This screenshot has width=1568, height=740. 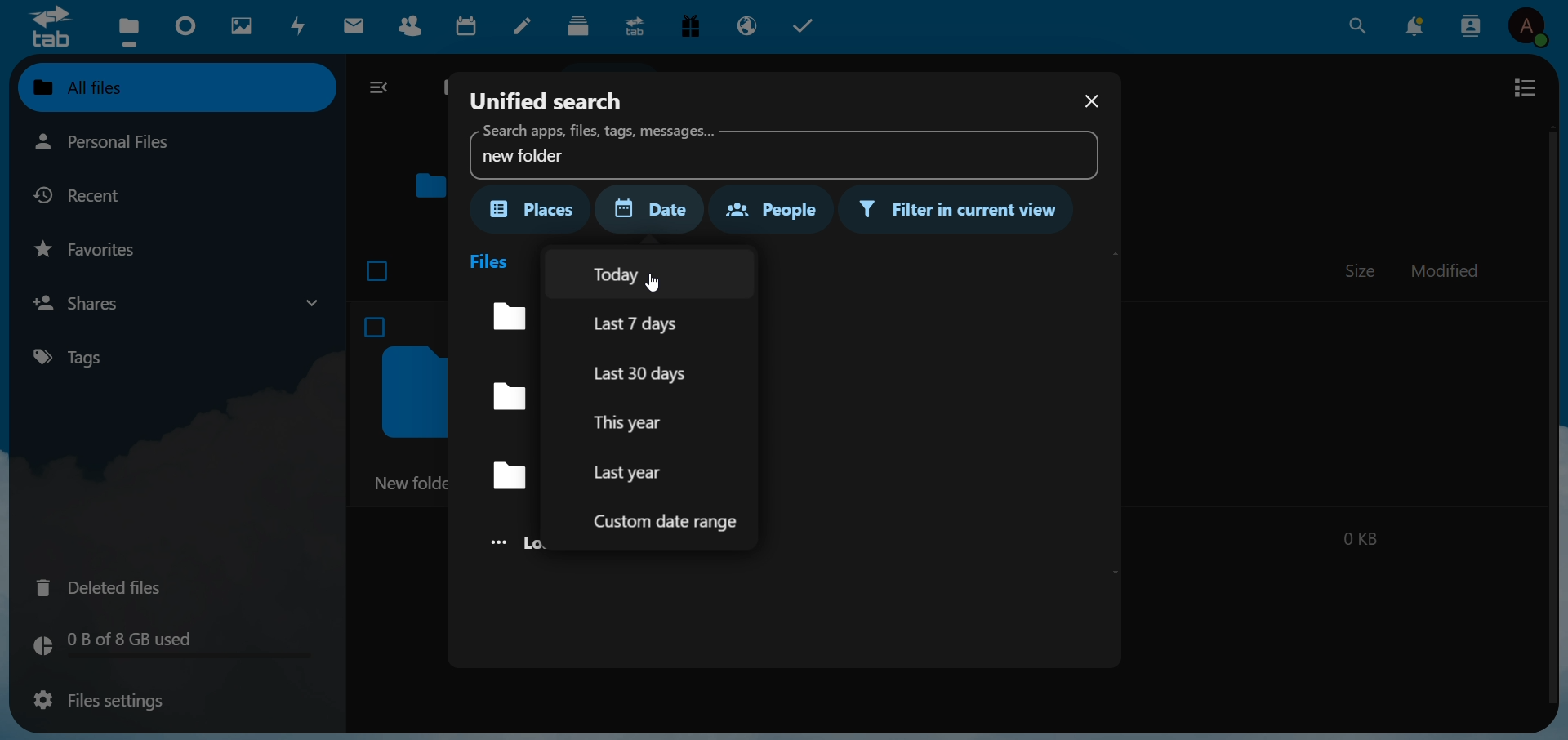 What do you see at coordinates (526, 27) in the screenshot?
I see `notes` at bounding box center [526, 27].